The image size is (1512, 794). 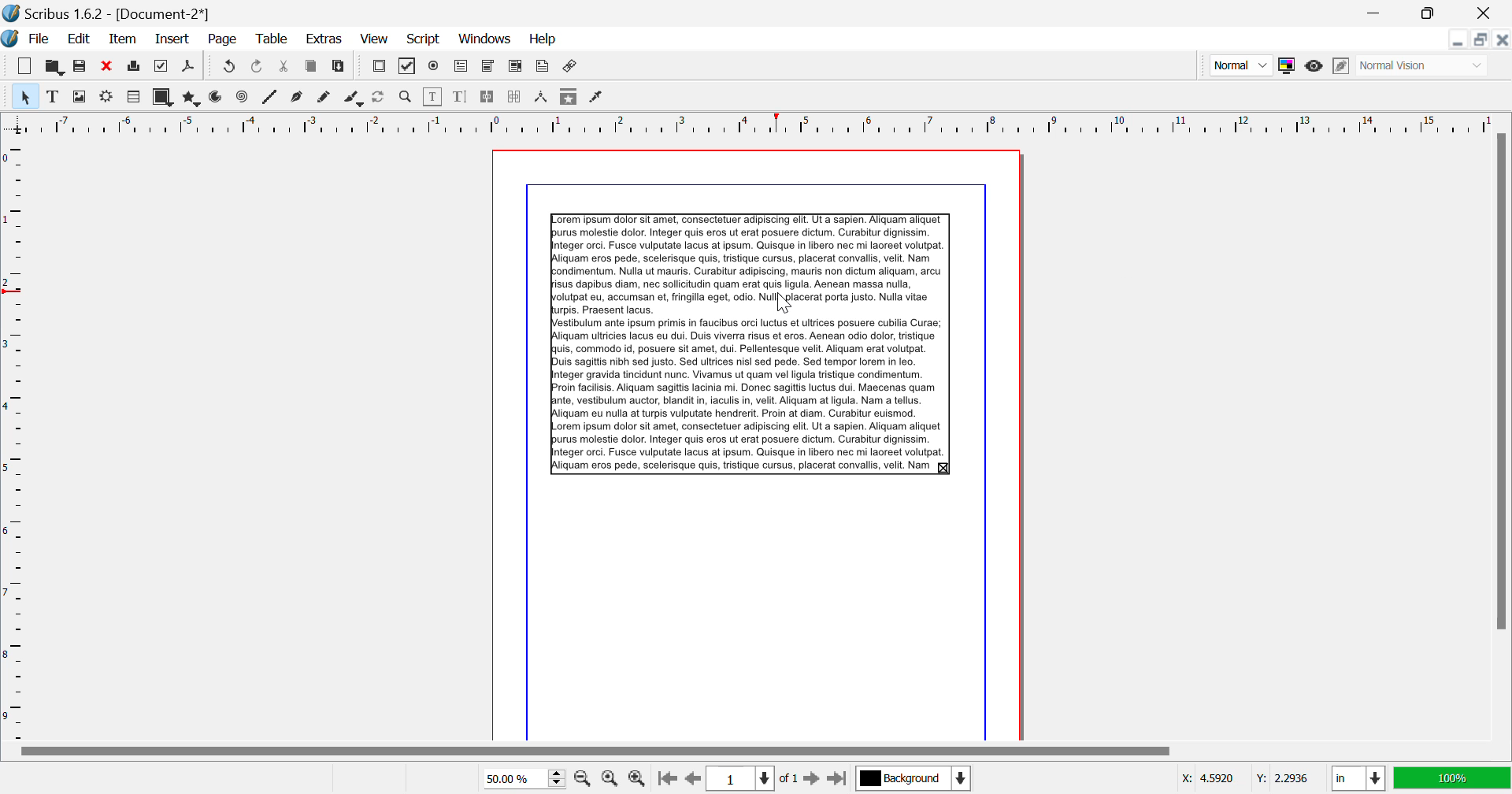 I want to click on Minimize, so click(x=1482, y=39).